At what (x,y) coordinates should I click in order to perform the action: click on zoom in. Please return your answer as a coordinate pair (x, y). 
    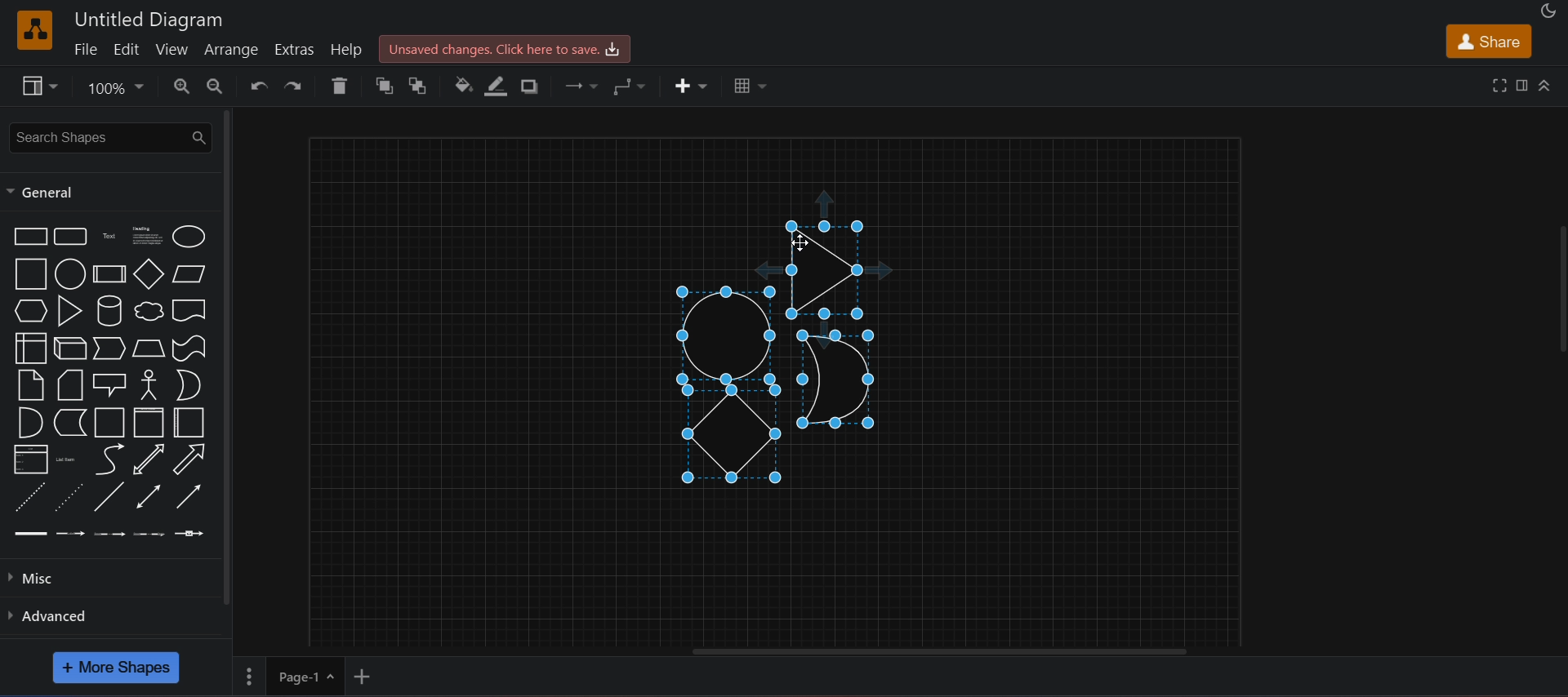
    Looking at the image, I should click on (184, 86).